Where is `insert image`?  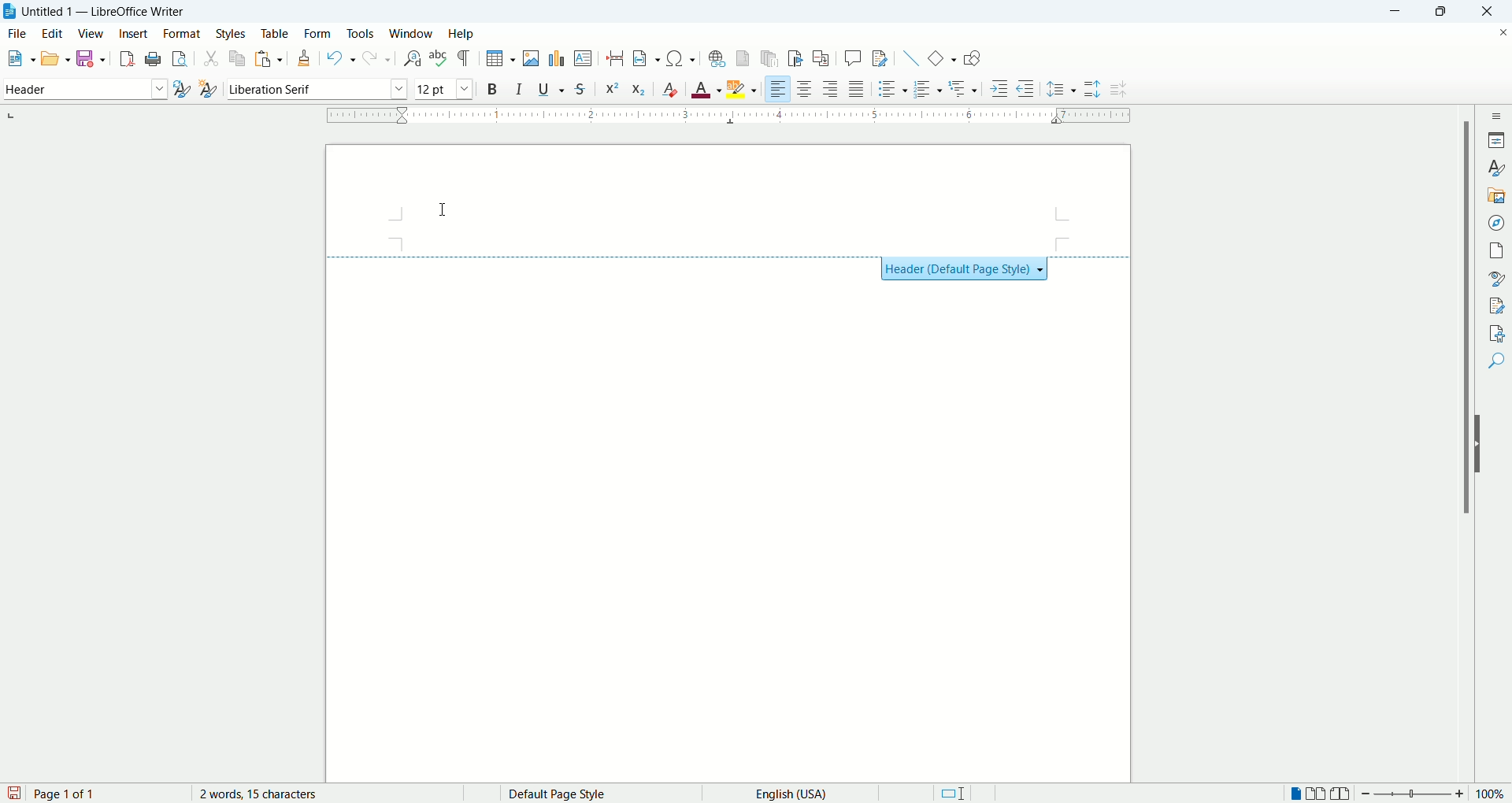
insert image is located at coordinates (531, 57).